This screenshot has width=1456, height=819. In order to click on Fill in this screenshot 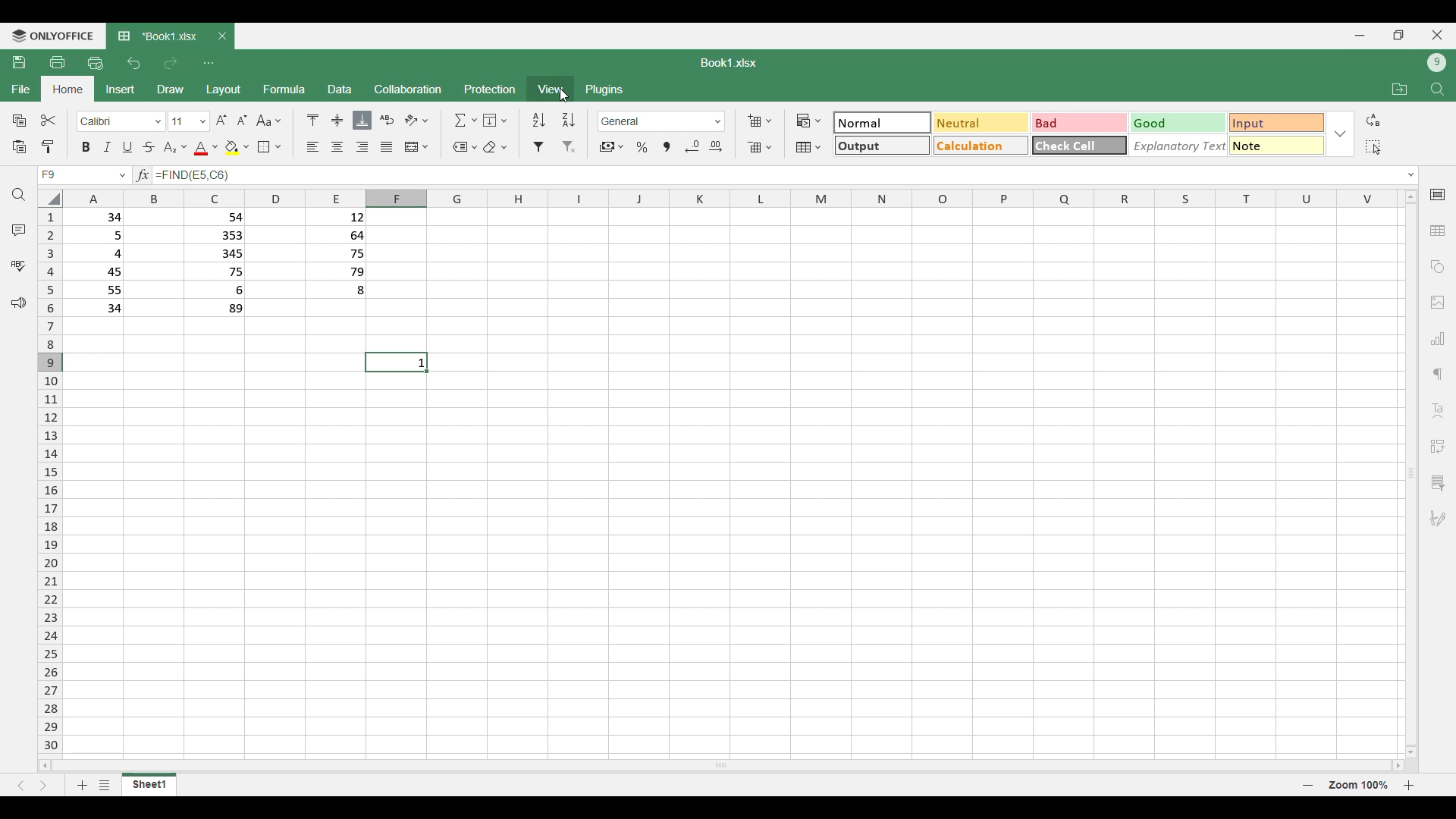, I will do `click(496, 121)`.